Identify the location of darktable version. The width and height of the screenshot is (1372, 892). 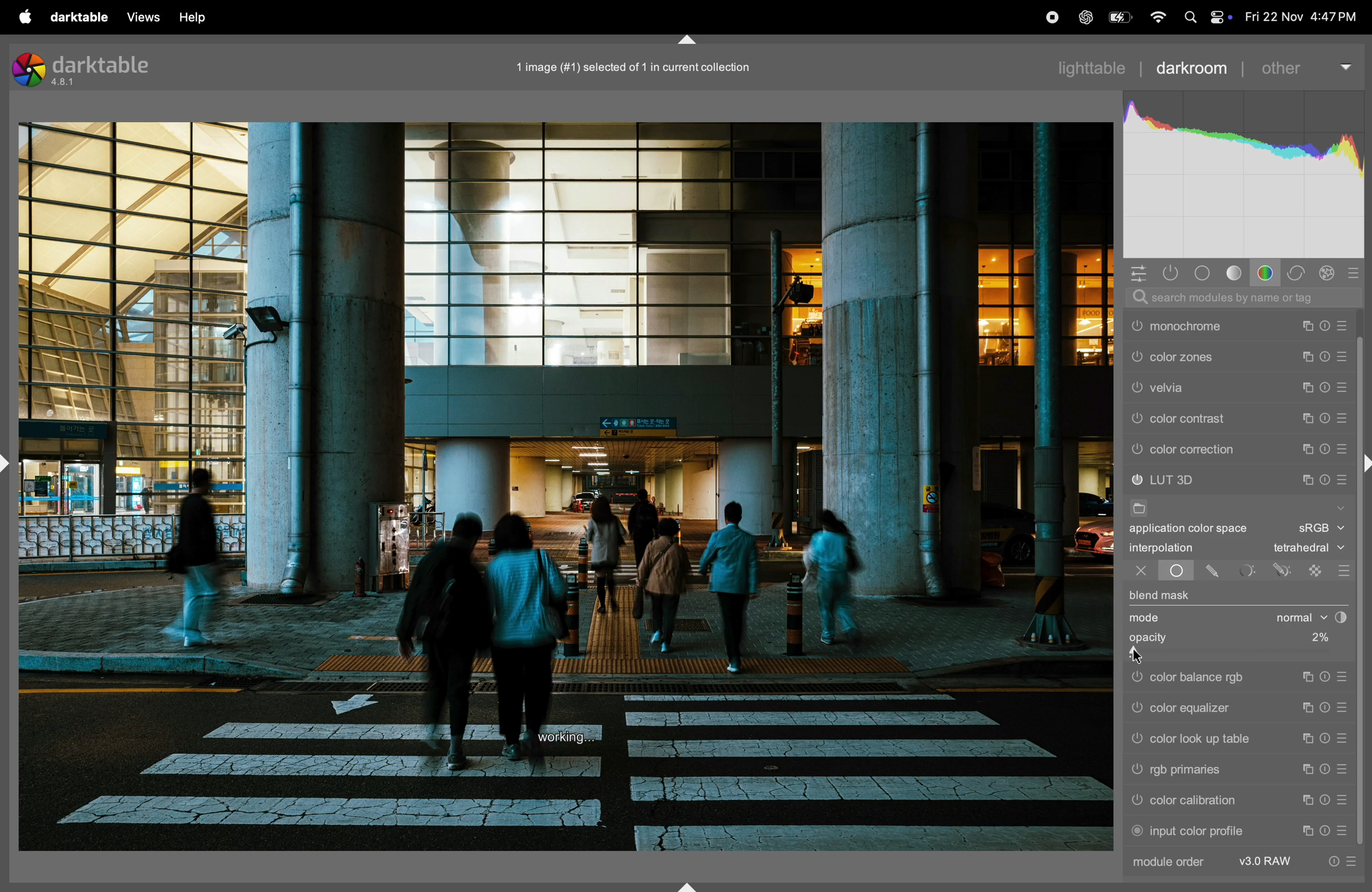
(105, 70).